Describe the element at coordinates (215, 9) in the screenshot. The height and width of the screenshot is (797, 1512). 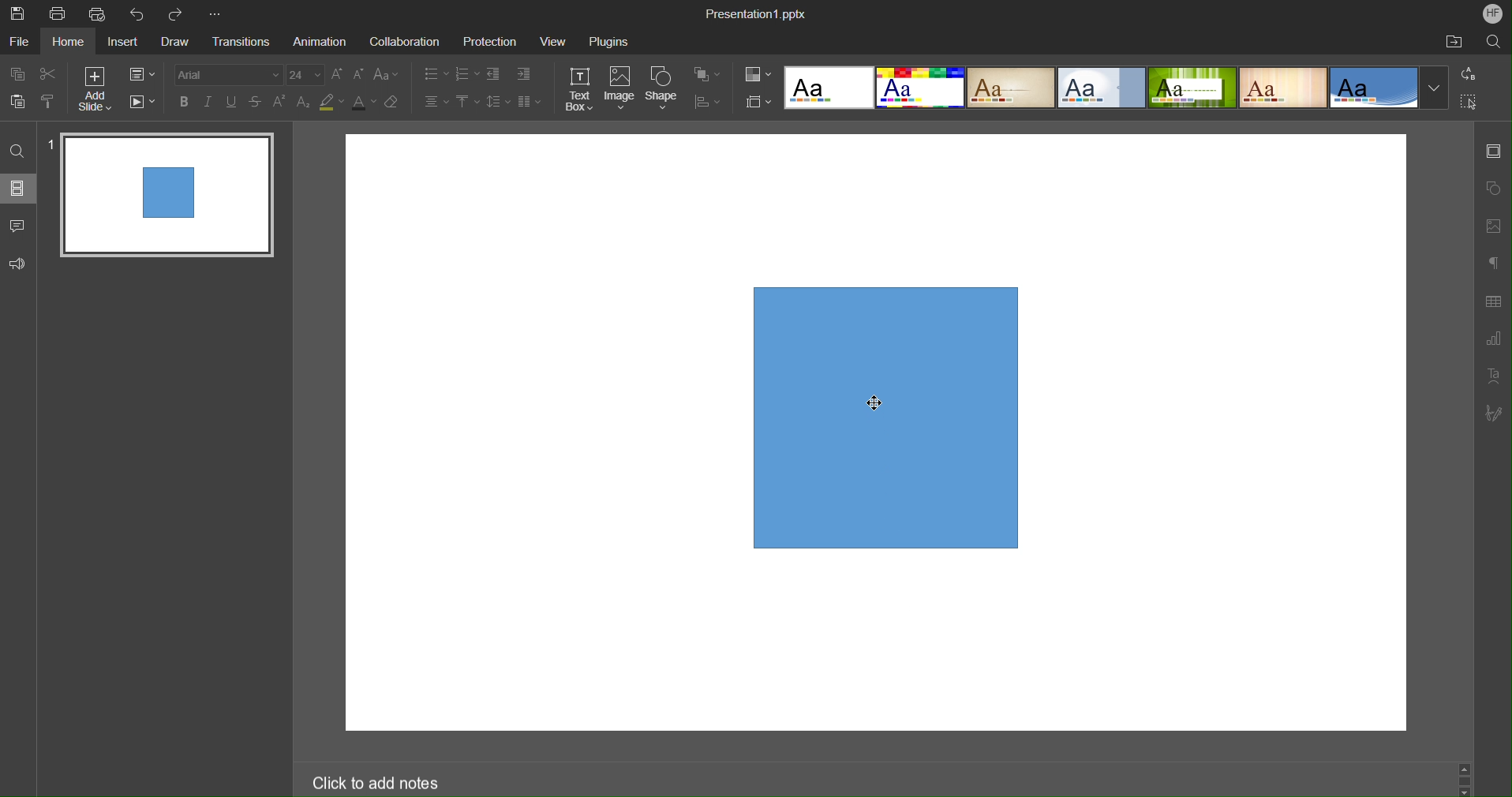
I see `More` at that location.